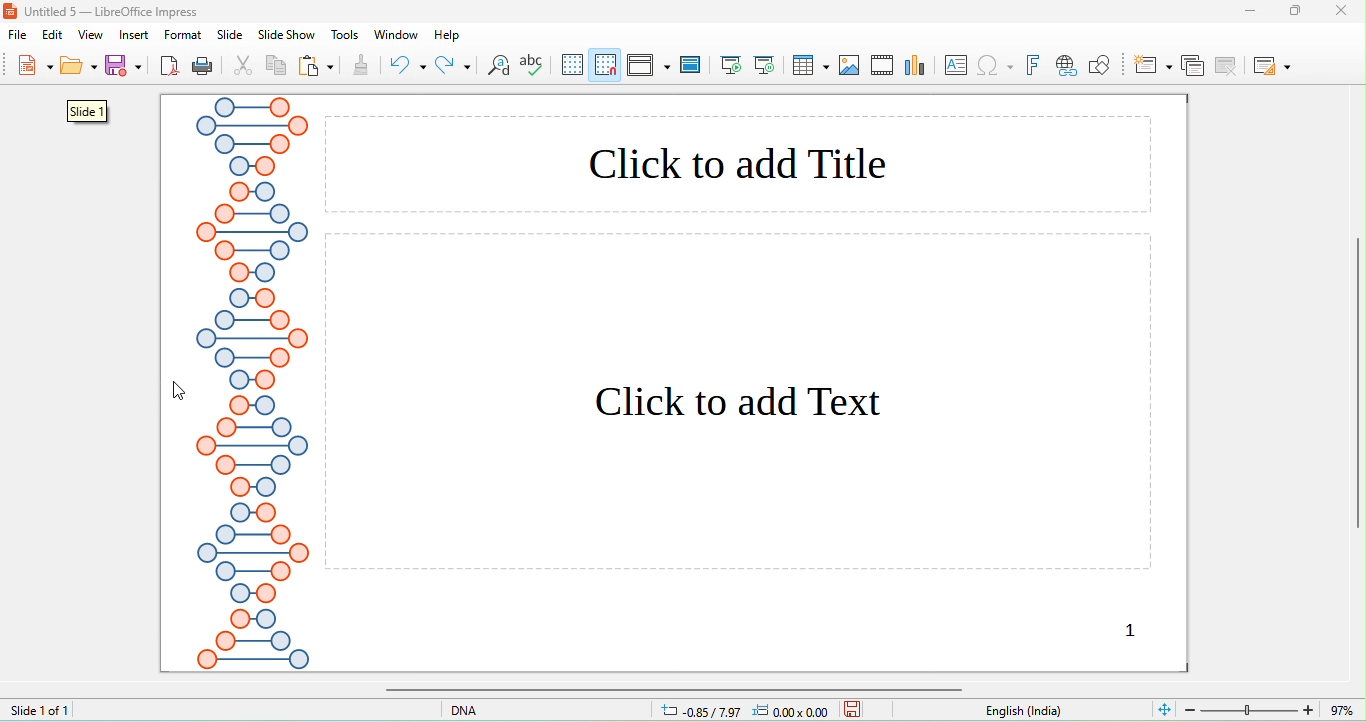 The width and height of the screenshot is (1366, 722). What do you see at coordinates (244, 67) in the screenshot?
I see `cut` at bounding box center [244, 67].